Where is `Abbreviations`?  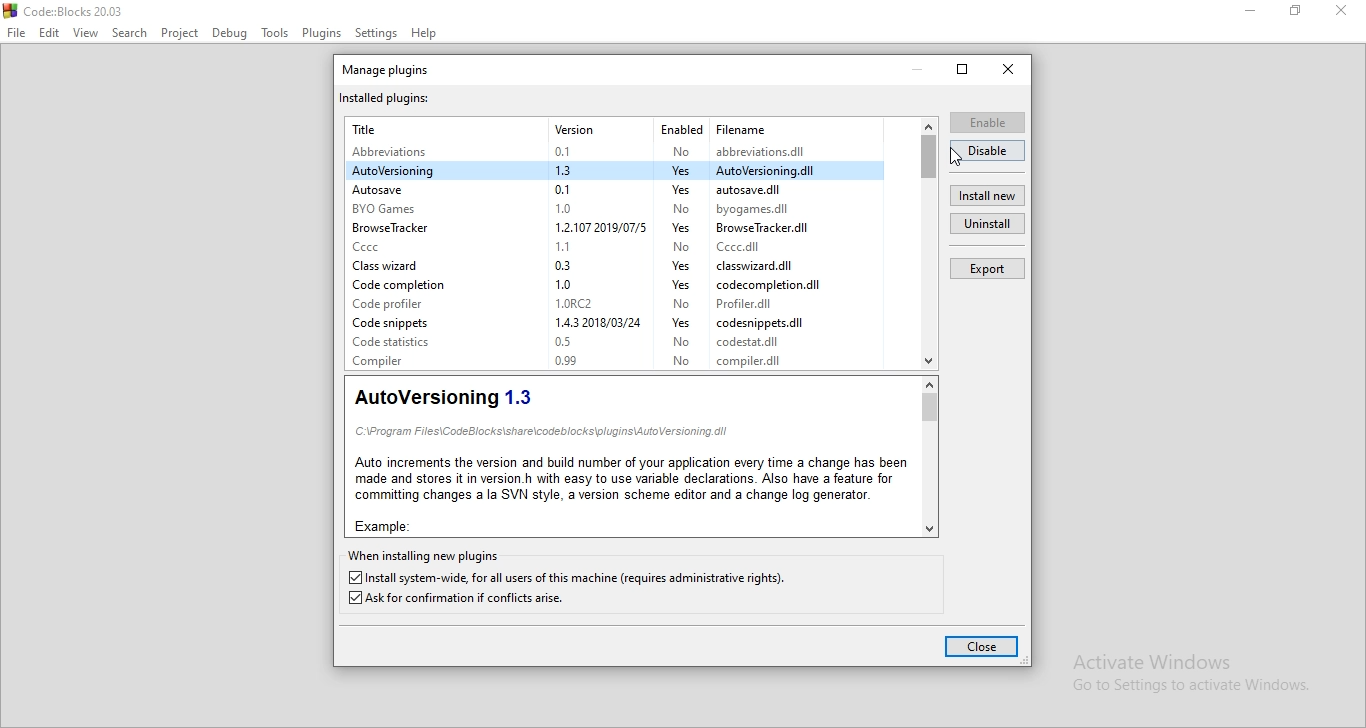 Abbreviations is located at coordinates (398, 152).